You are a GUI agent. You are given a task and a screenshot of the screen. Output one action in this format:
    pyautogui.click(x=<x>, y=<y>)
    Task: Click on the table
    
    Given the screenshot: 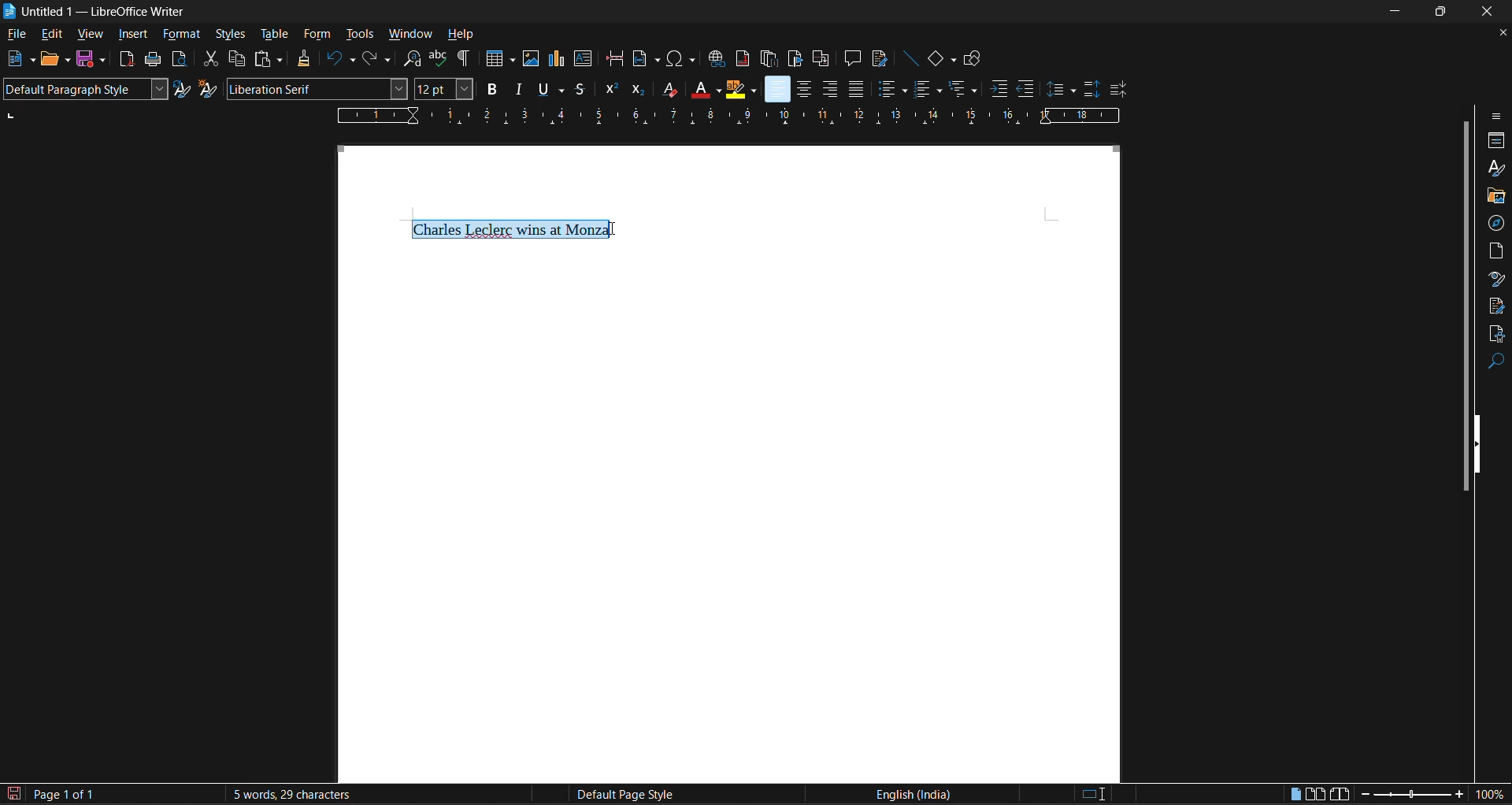 What is the action you would take?
    pyautogui.click(x=273, y=35)
    